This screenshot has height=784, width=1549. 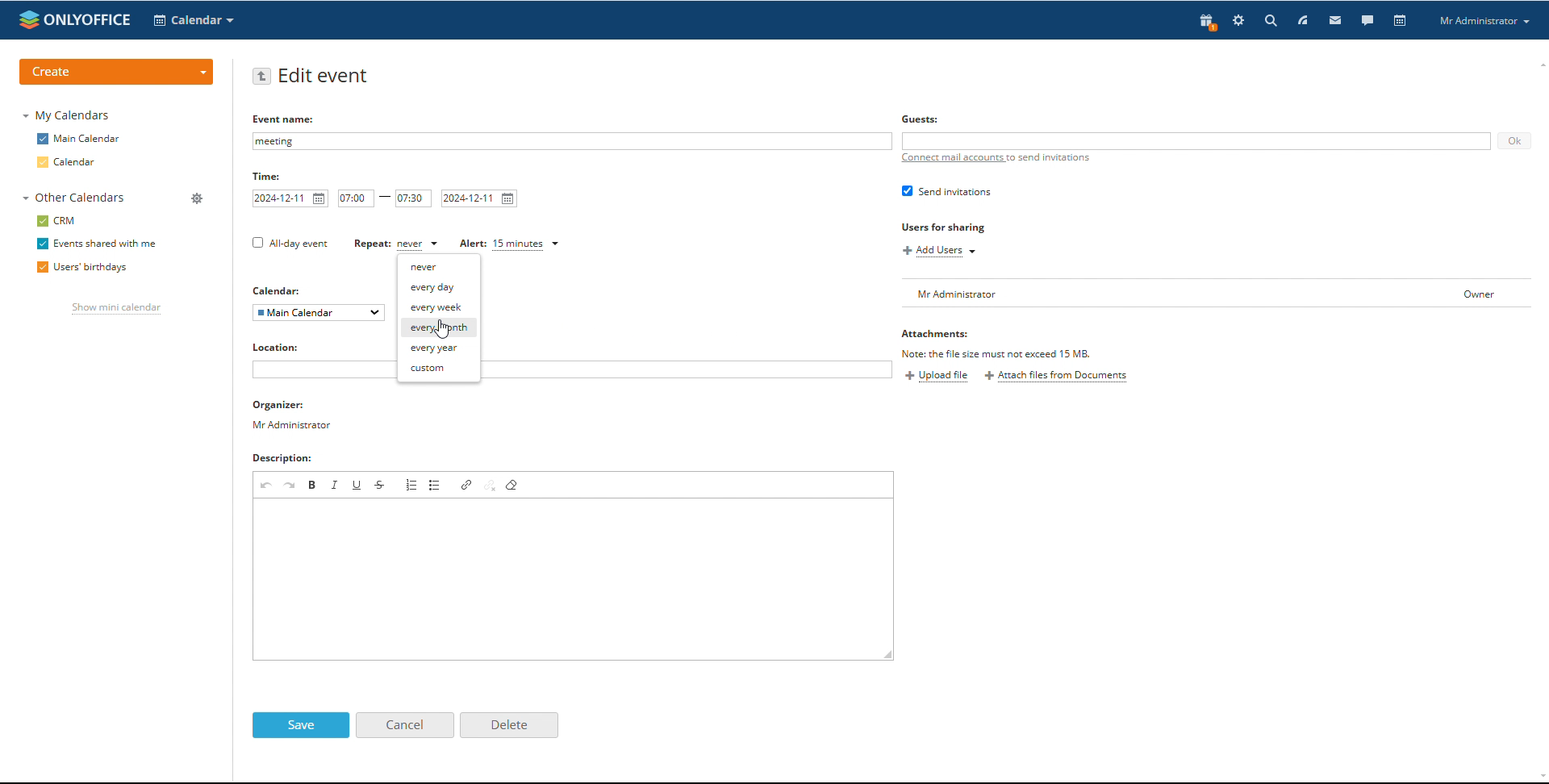 I want to click on Users for sharing, so click(x=946, y=228).